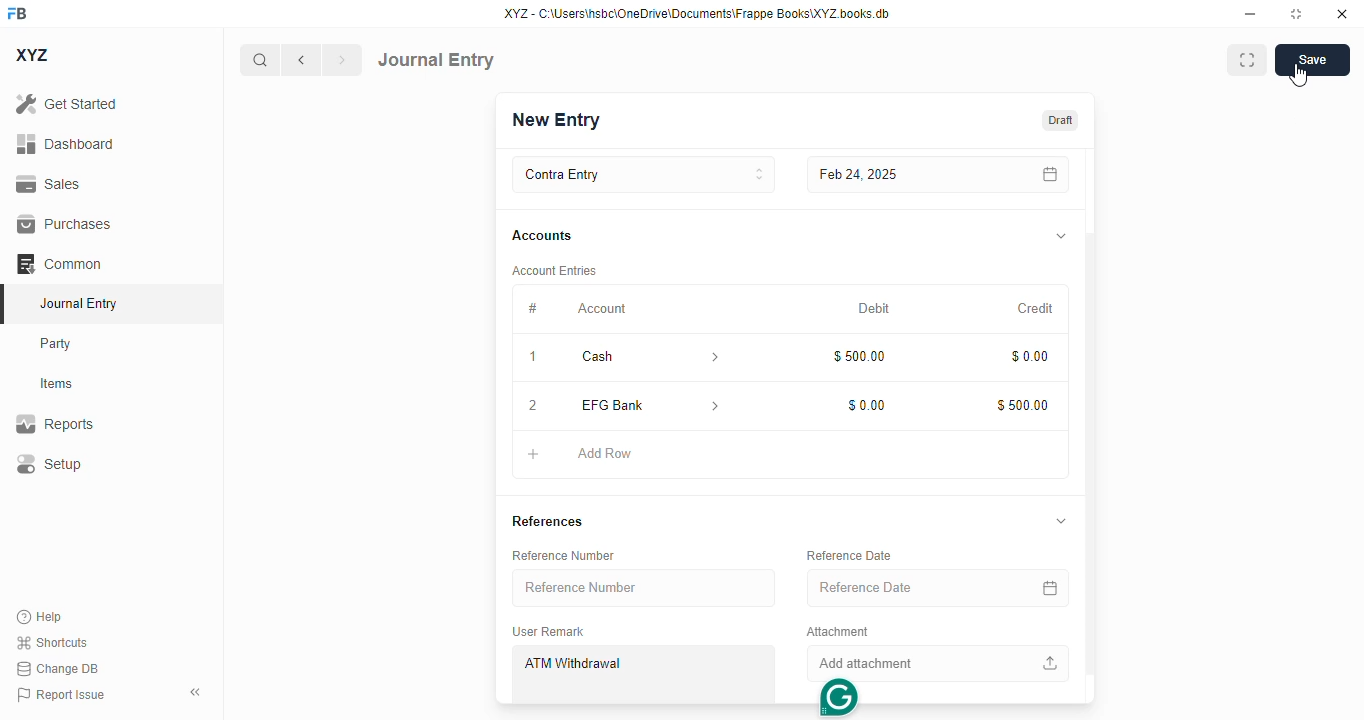 Image resolution: width=1364 pixels, height=720 pixels. What do you see at coordinates (49, 463) in the screenshot?
I see `setup` at bounding box center [49, 463].